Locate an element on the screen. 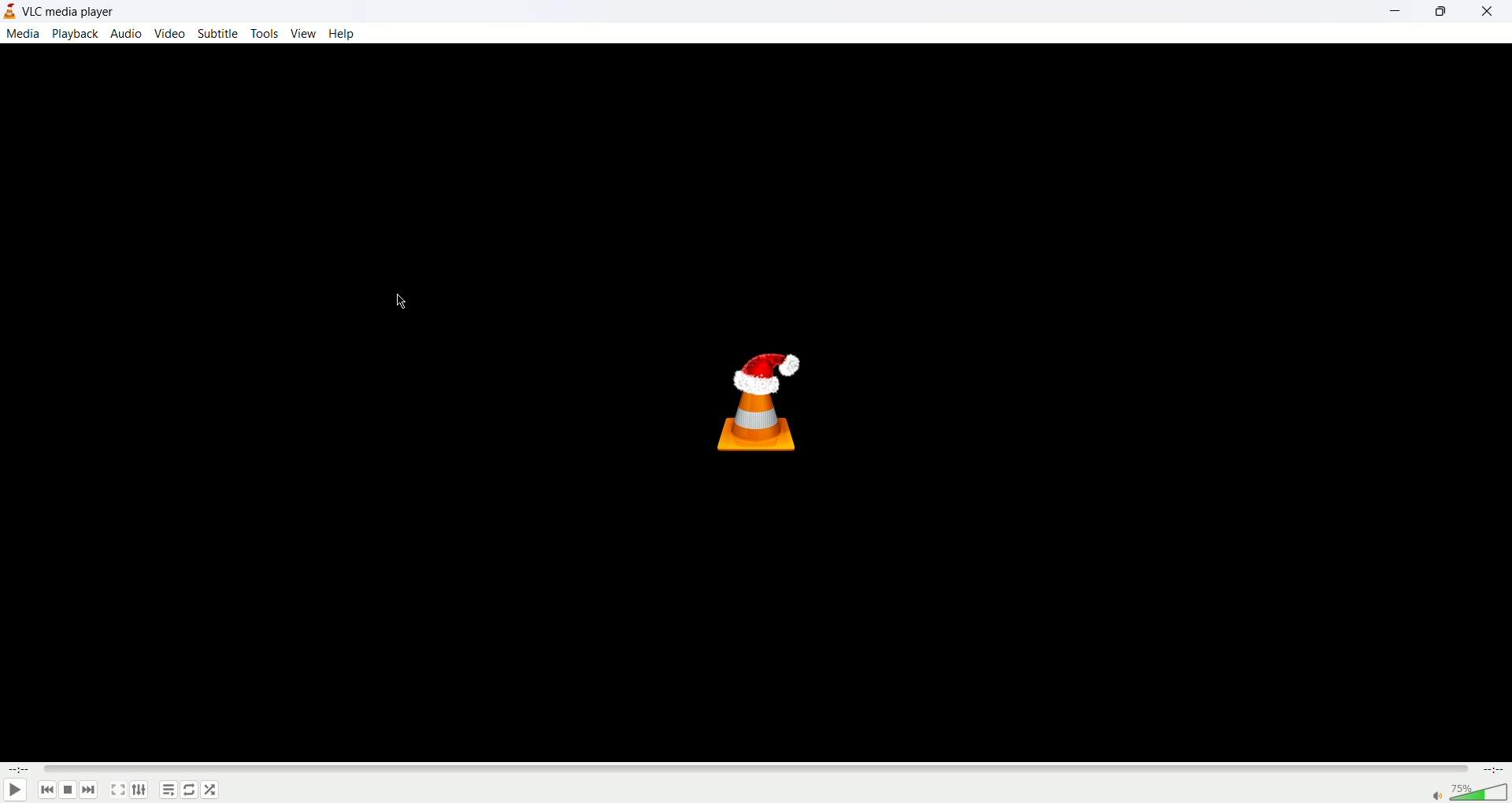  extended settings is located at coordinates (138, 790).